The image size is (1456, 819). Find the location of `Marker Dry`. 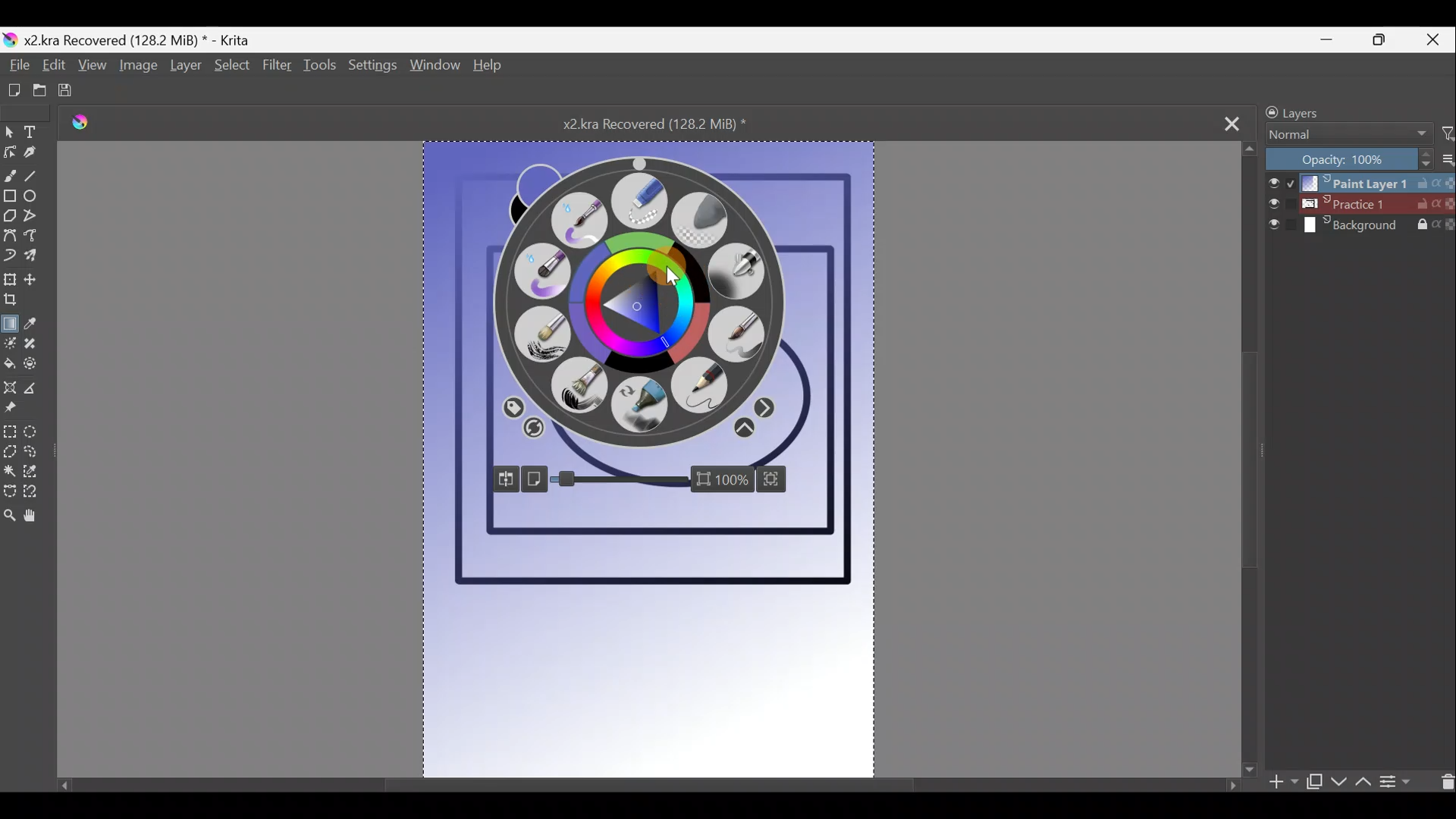

Marker Dry is located at coordinates (642, 406).